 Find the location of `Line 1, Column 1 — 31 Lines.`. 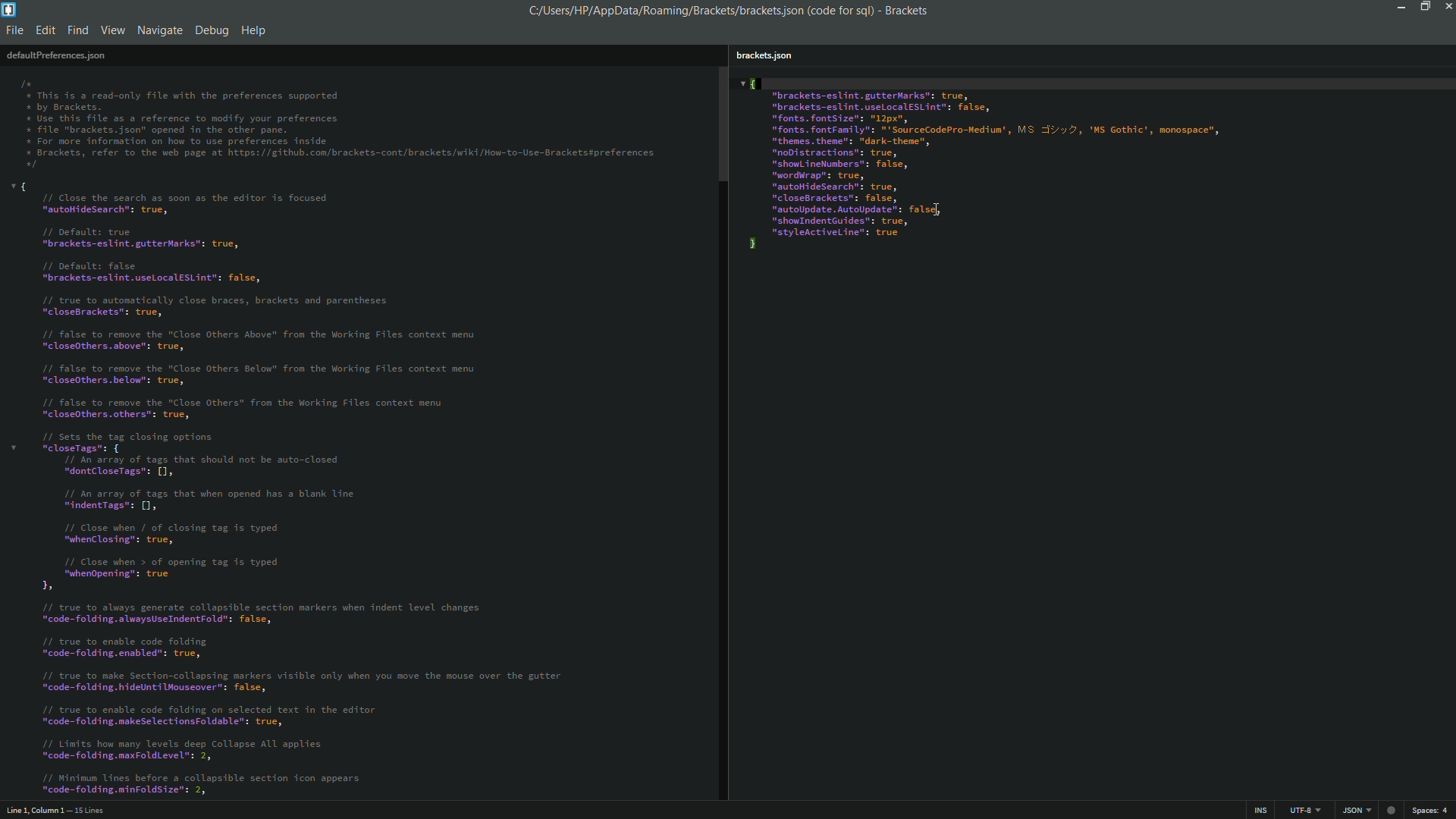

Line 1, Column 1 — 31 Lines. is located at coordinates (55, 808).